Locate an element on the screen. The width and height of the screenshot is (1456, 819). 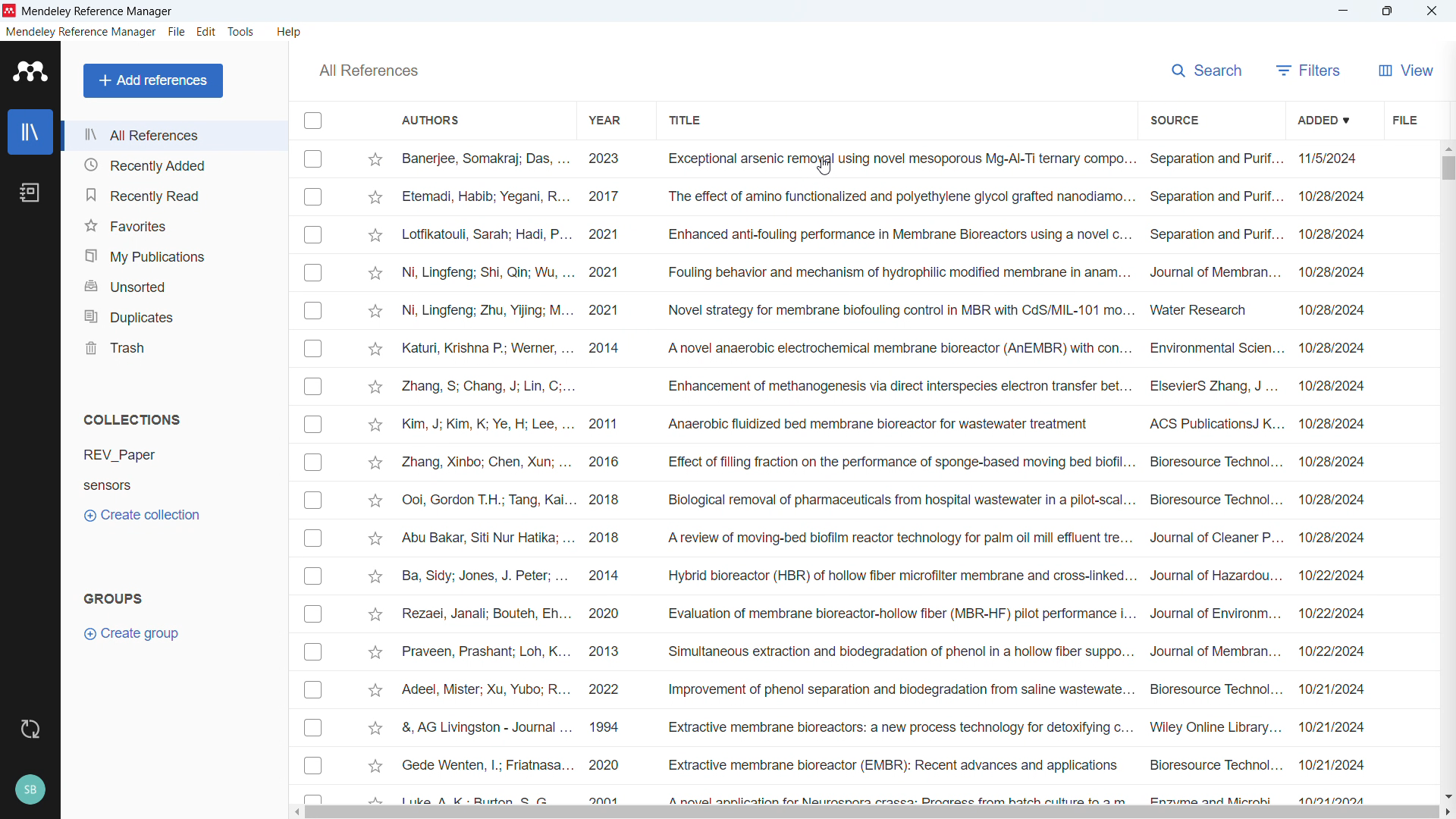
lotfikatouil,sarah,hadi,p is located at coordinates (485, 235).